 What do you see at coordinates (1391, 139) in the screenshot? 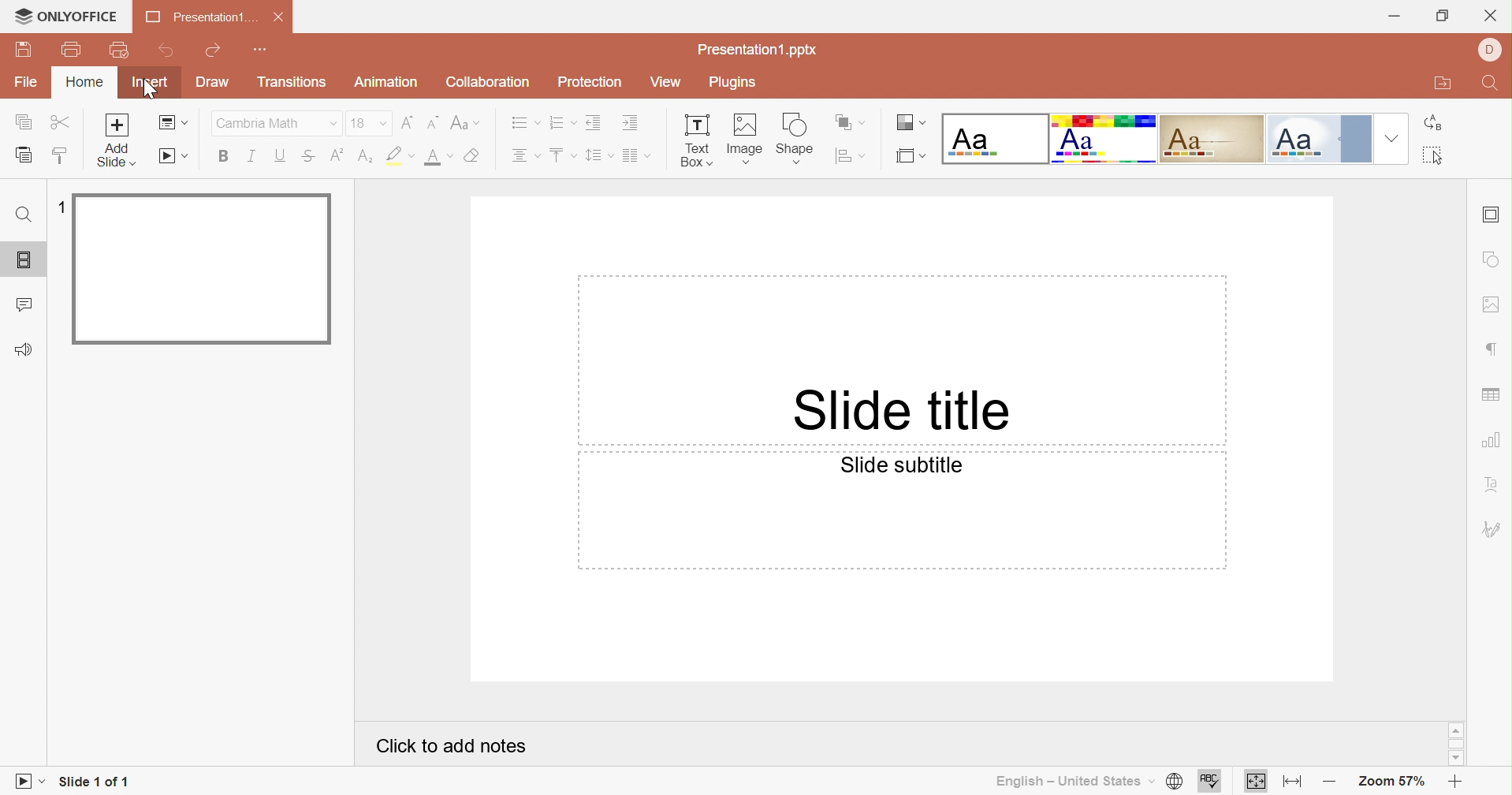
I see `Drop Down` at bounding box center [1391, 139].